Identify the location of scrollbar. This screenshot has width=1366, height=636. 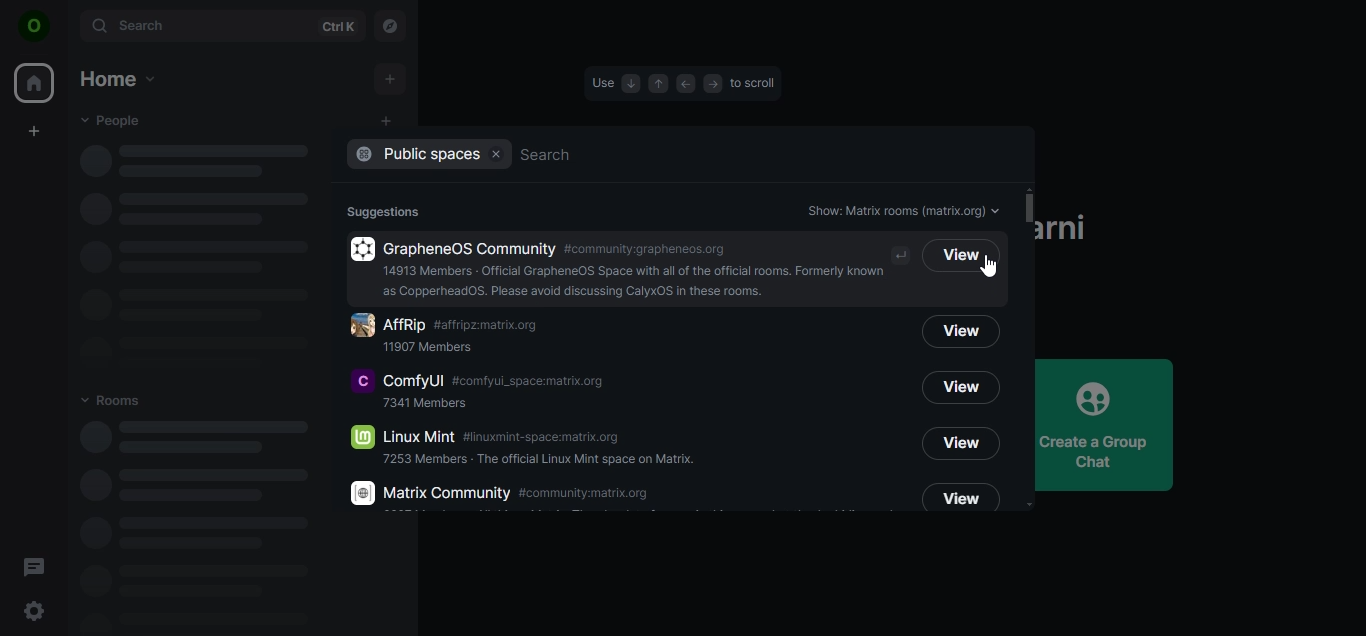
(1028, 208).